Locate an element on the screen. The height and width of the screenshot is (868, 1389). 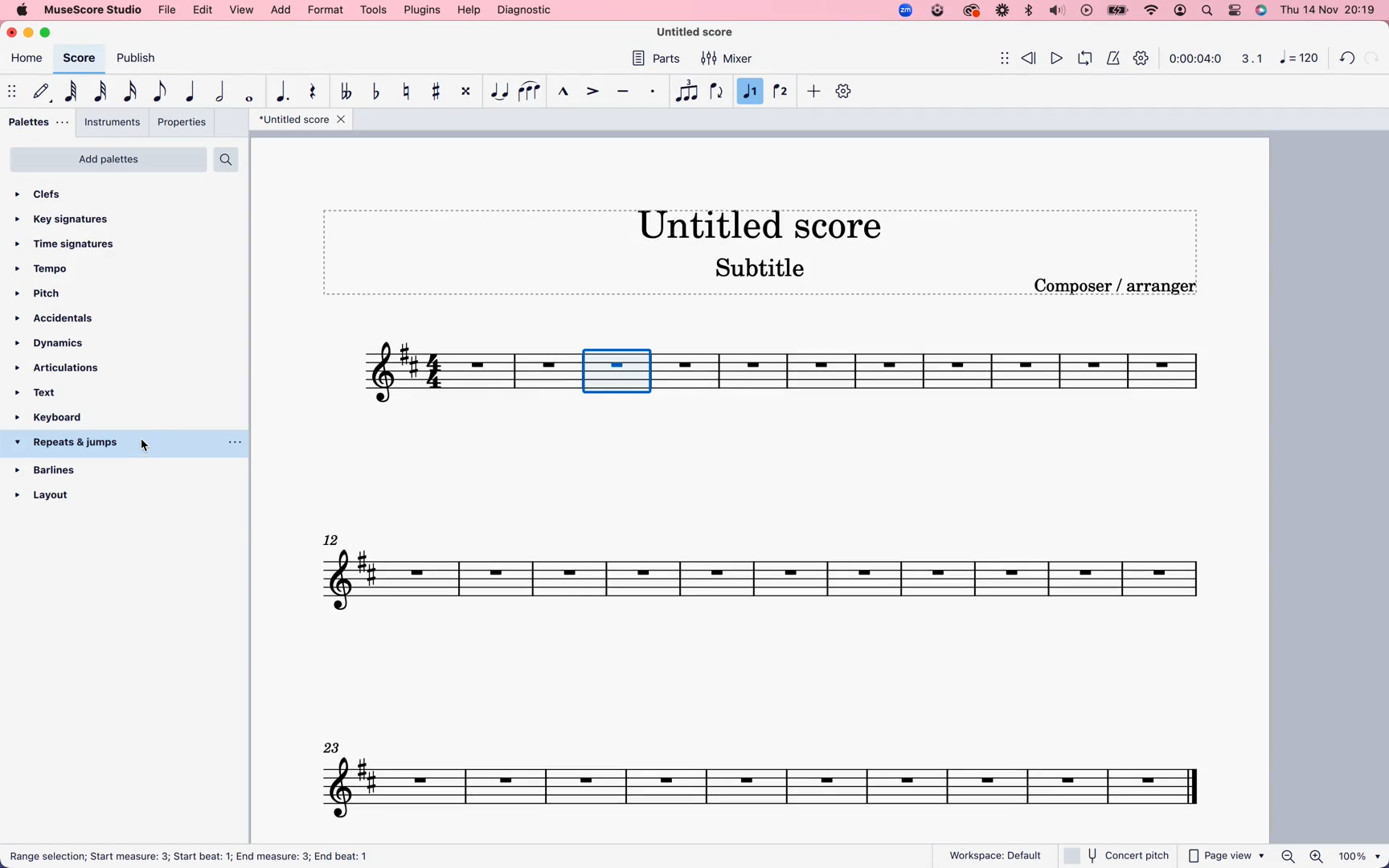
pallets is located at coordinates (39, 121).